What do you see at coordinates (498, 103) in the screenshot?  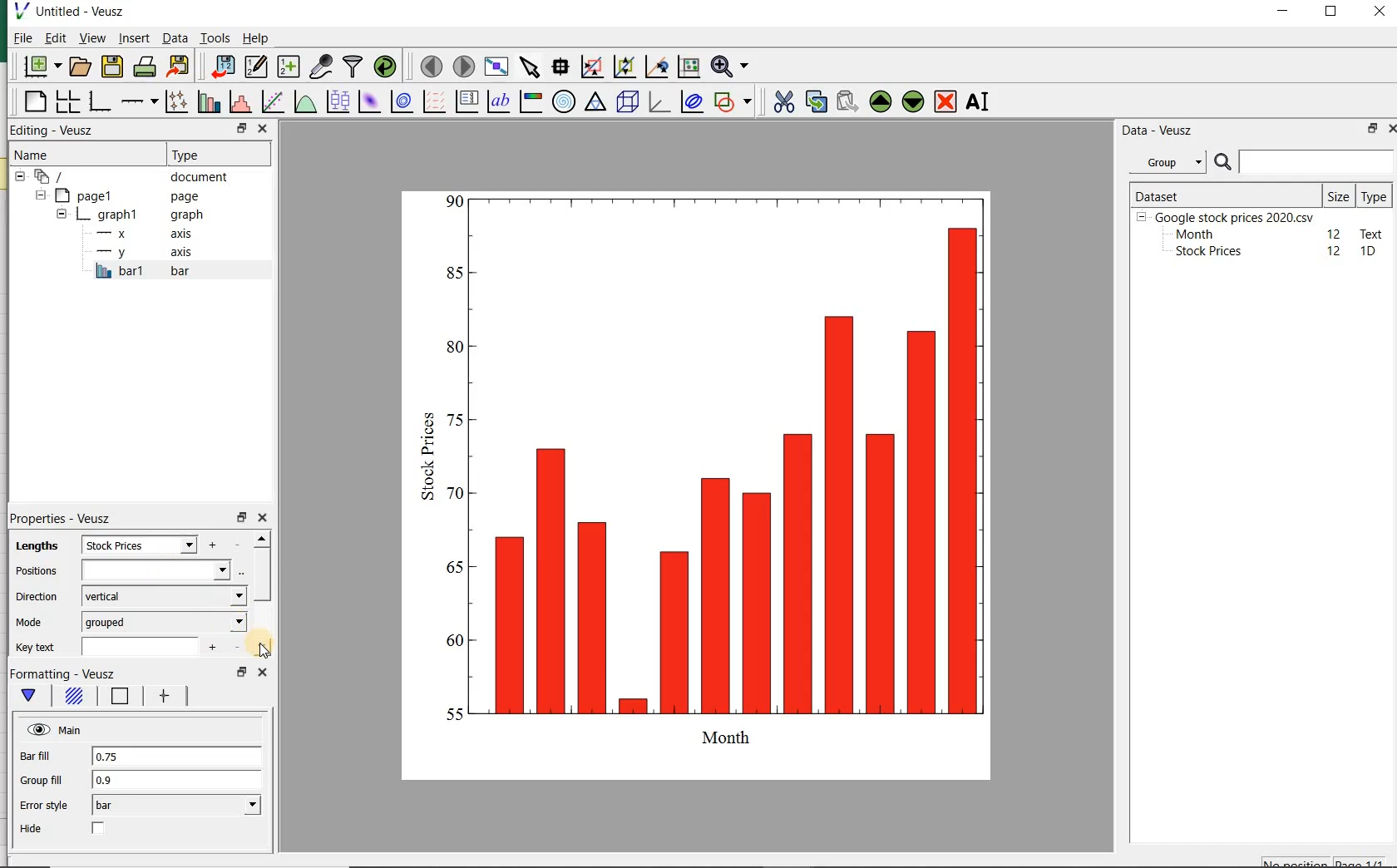 I see `text label` at bounding box center [498, 103].